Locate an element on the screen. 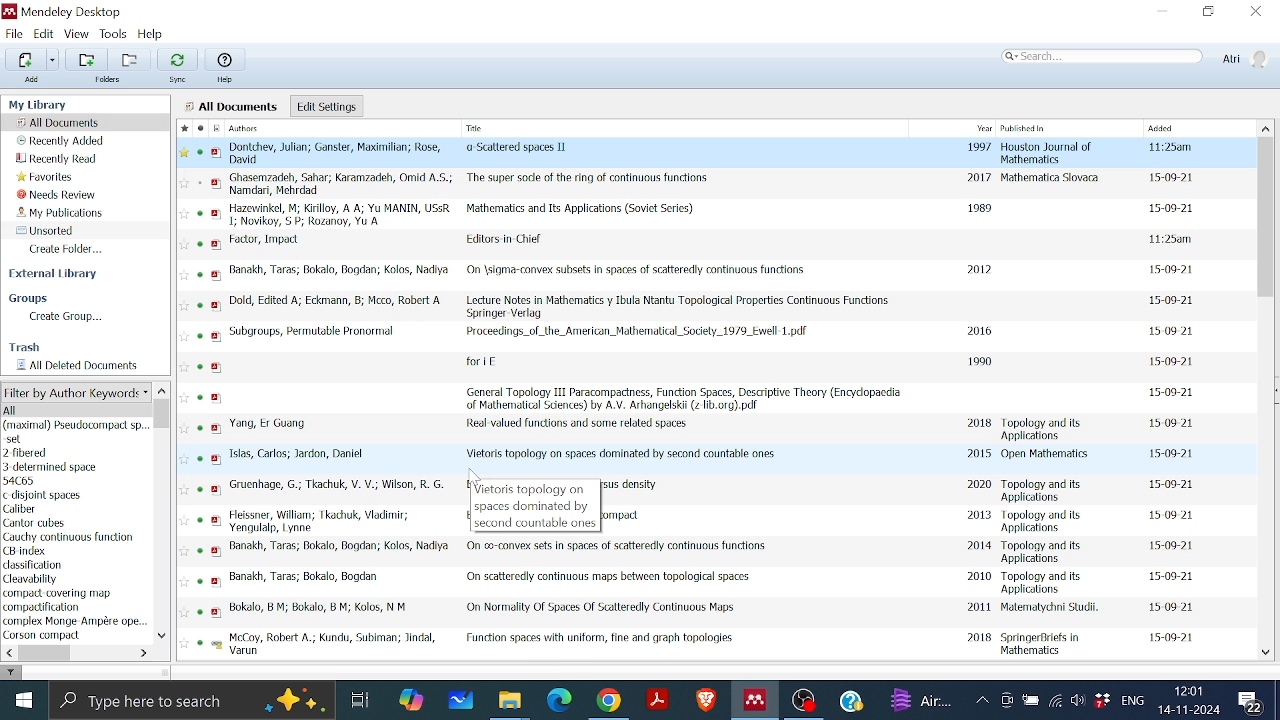 This screenshot has width=1280, height=720. Title is located at coordinates (482, 362).